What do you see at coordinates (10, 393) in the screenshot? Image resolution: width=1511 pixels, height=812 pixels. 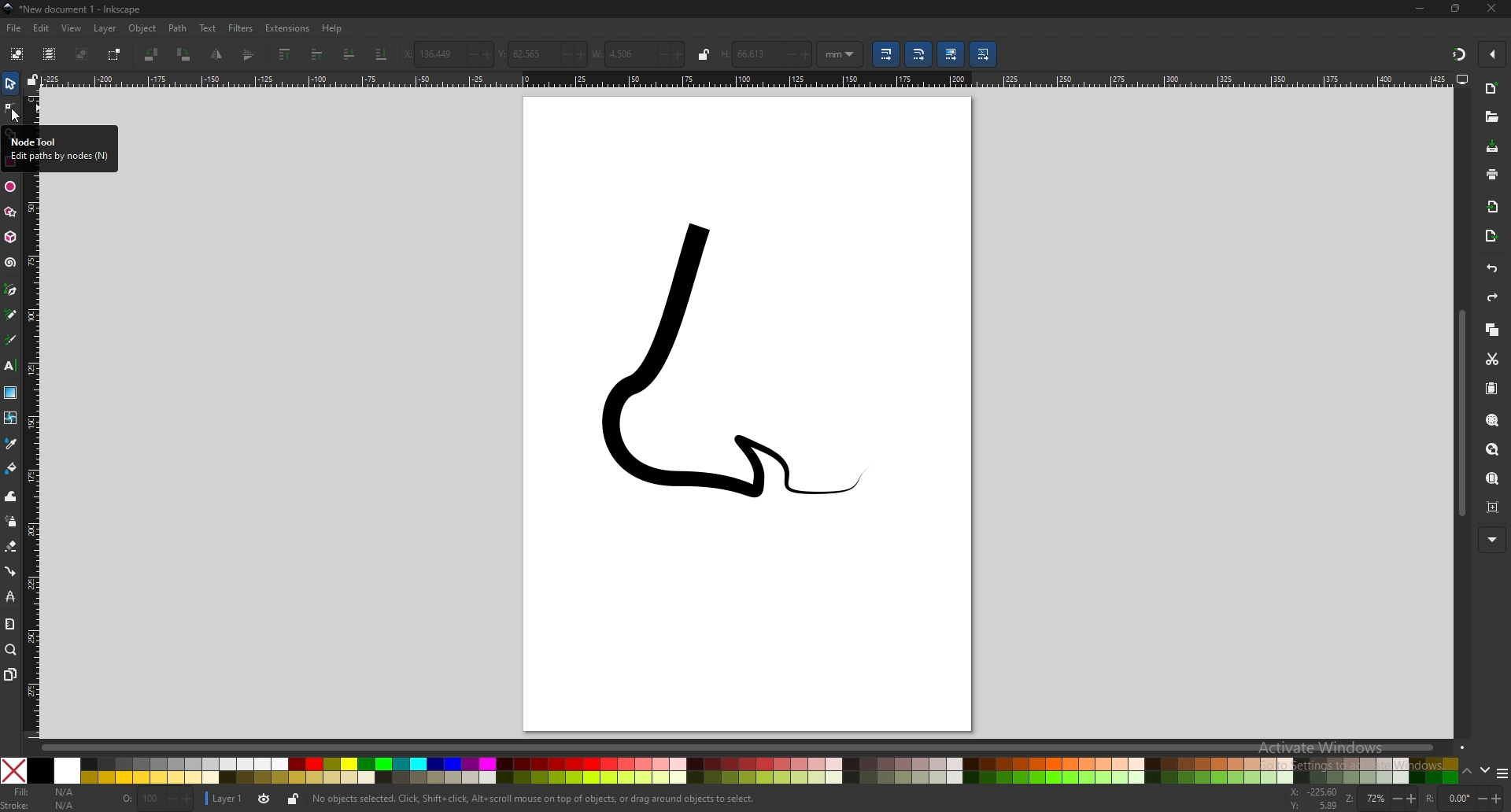 I see `gradient` at bounding box center [10, 393].